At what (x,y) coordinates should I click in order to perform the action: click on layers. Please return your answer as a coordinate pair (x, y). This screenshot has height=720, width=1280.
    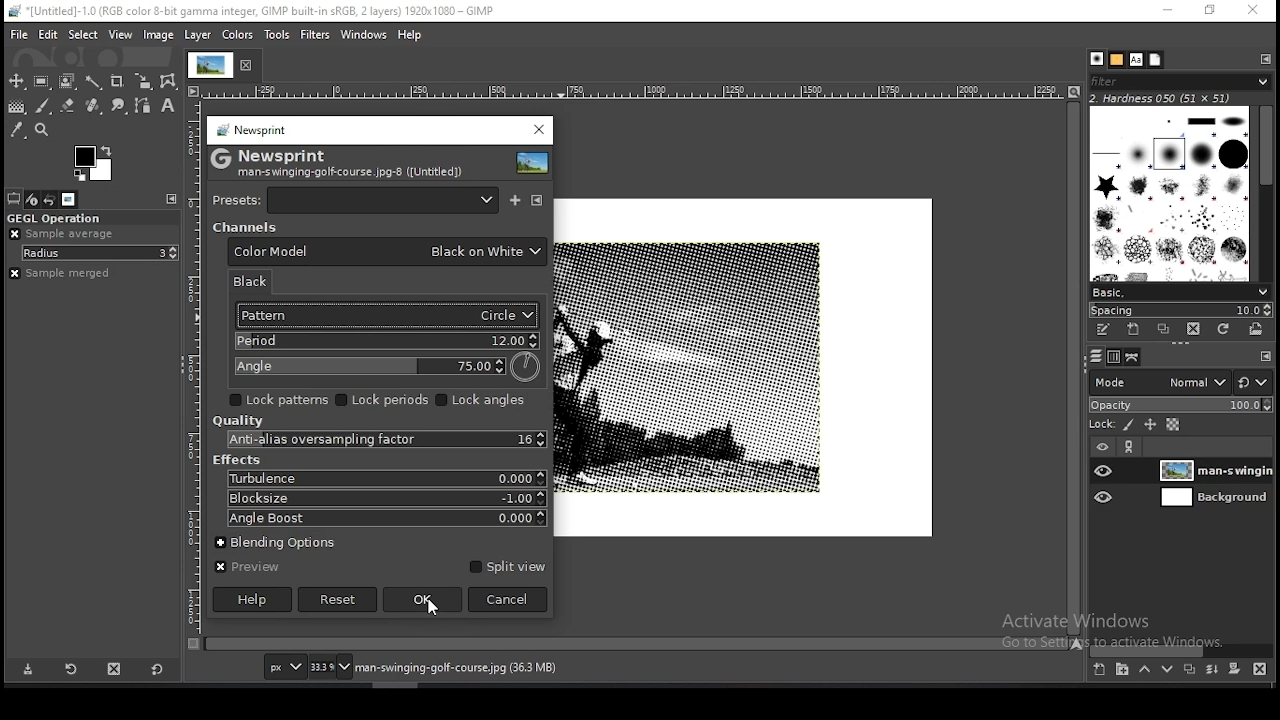
    Looking at the image, I should click on (1096, 358).